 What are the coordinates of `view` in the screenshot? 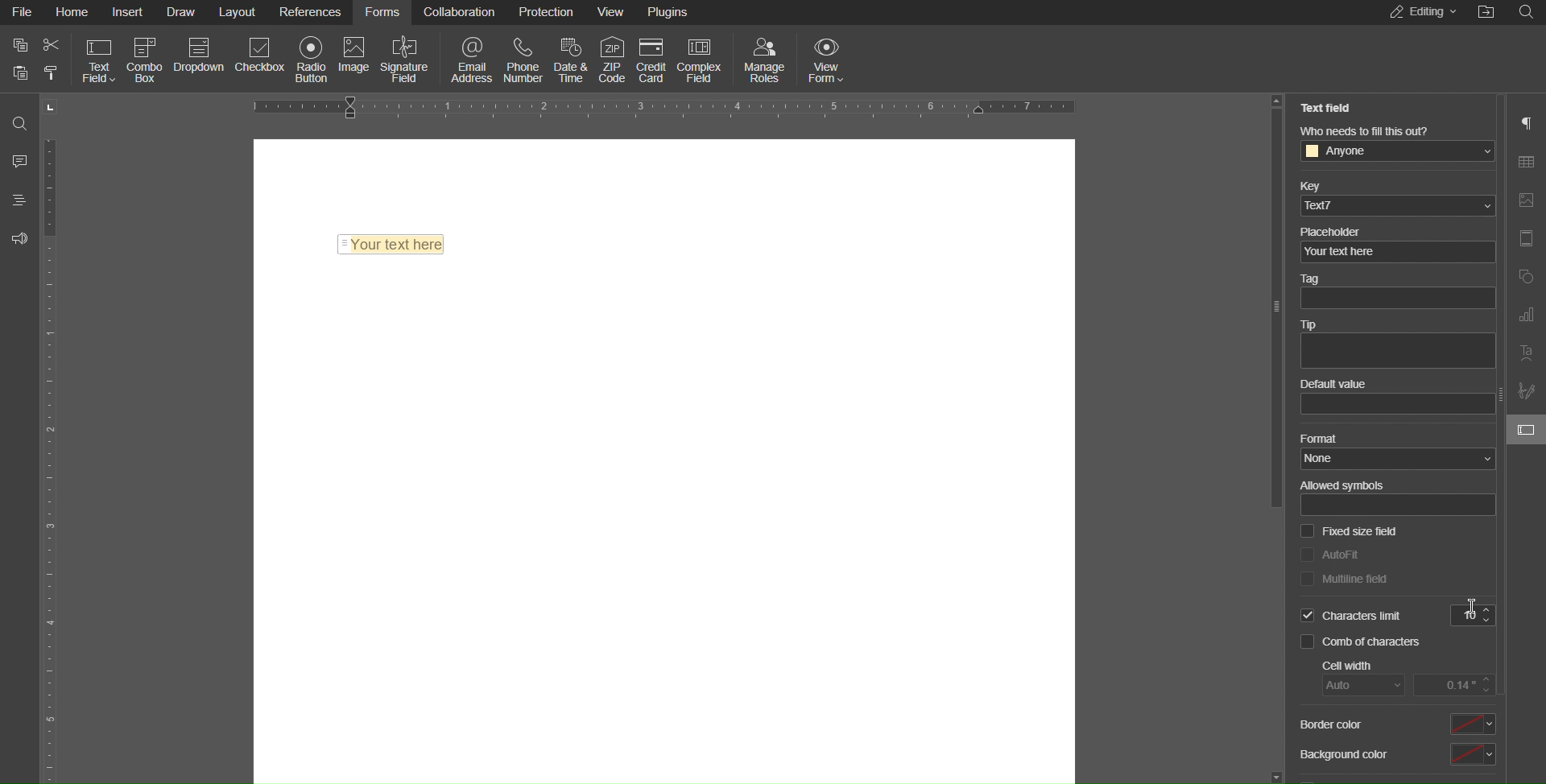 It's located at (613, 12).